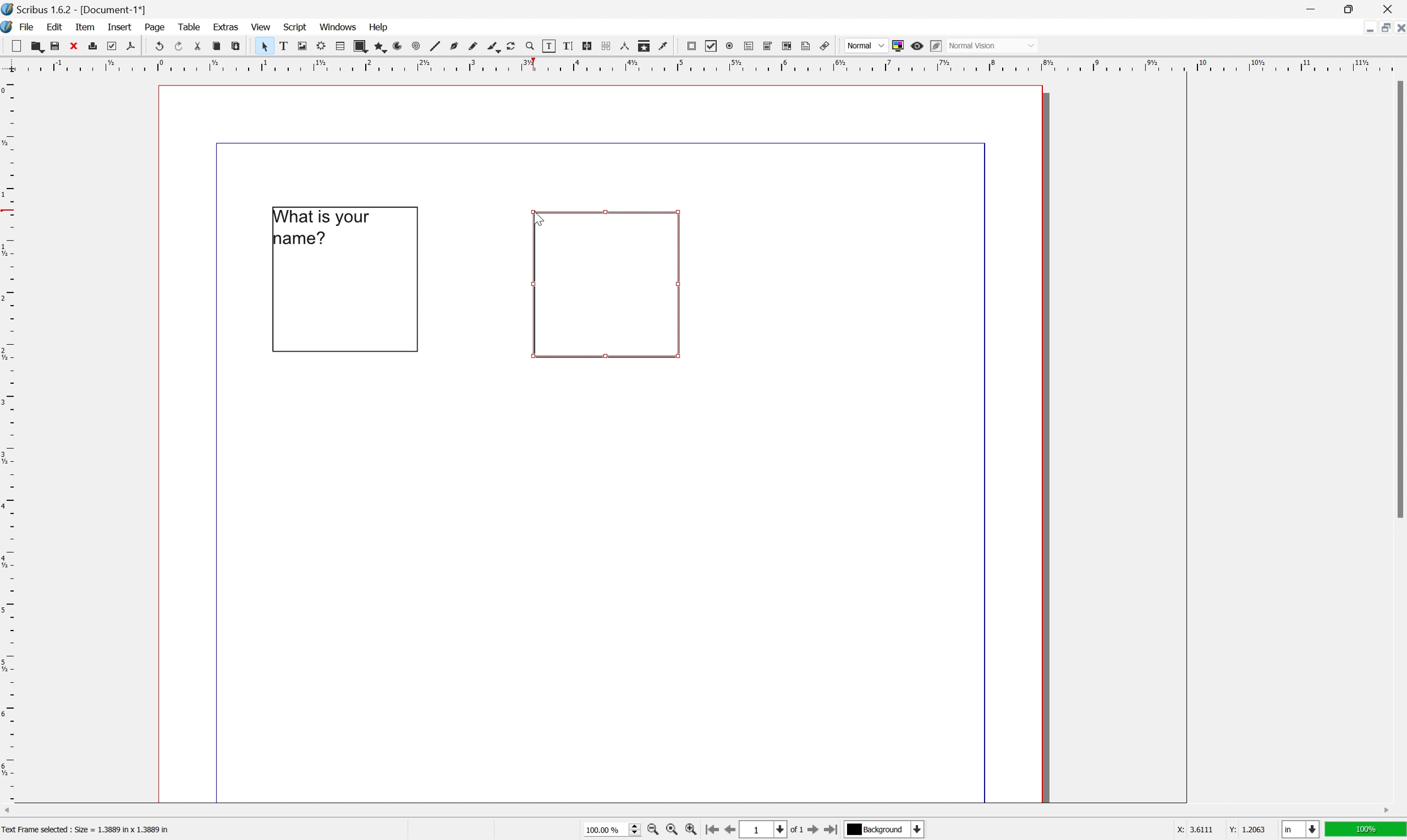 The image size is (1407, 840). Describe the element at coordinates (198, 46) in the screenshot. I see `cut` at that location.